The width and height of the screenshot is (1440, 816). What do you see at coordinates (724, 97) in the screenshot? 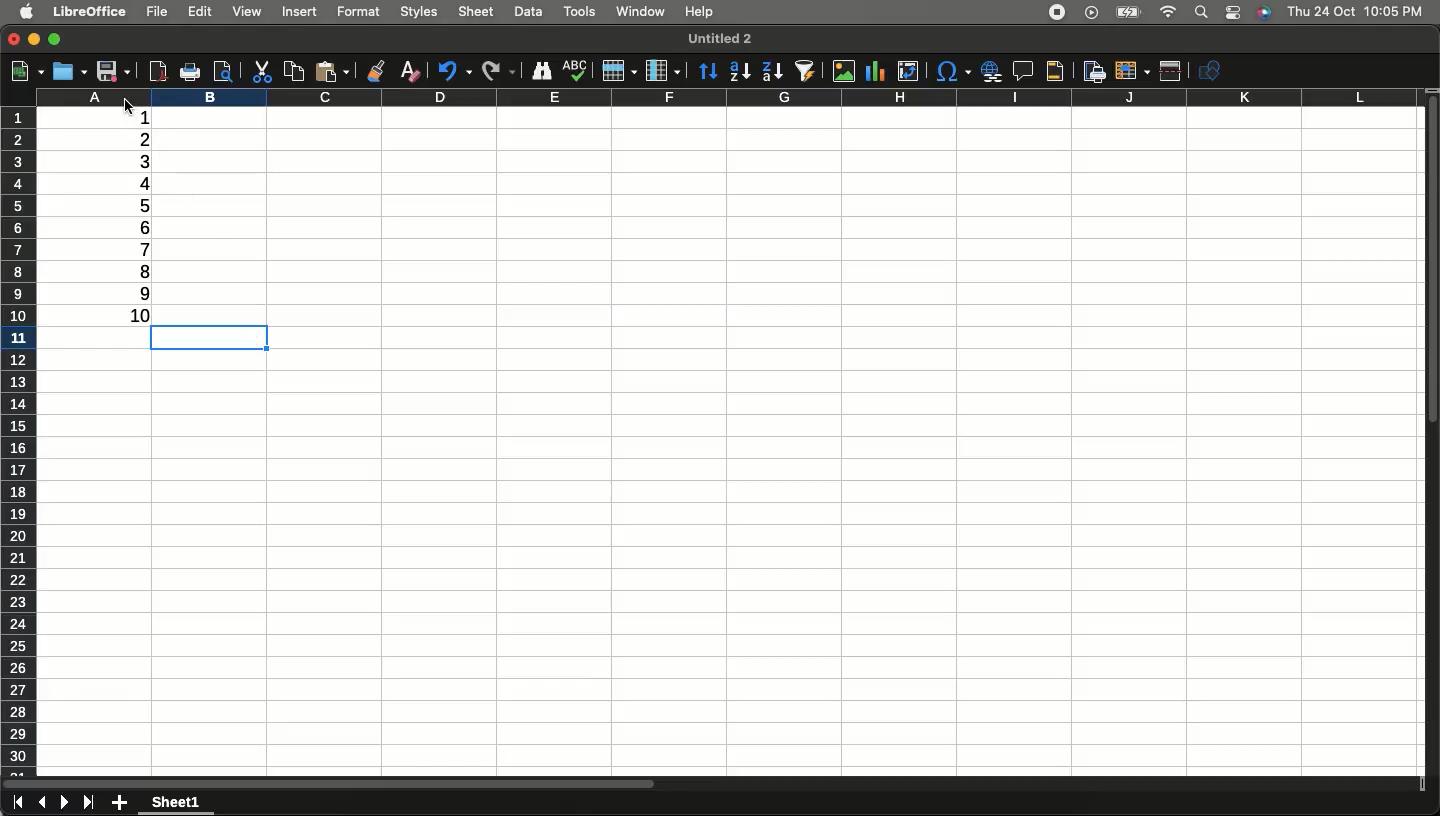
I see `Column` at bounding box center [724, 97].